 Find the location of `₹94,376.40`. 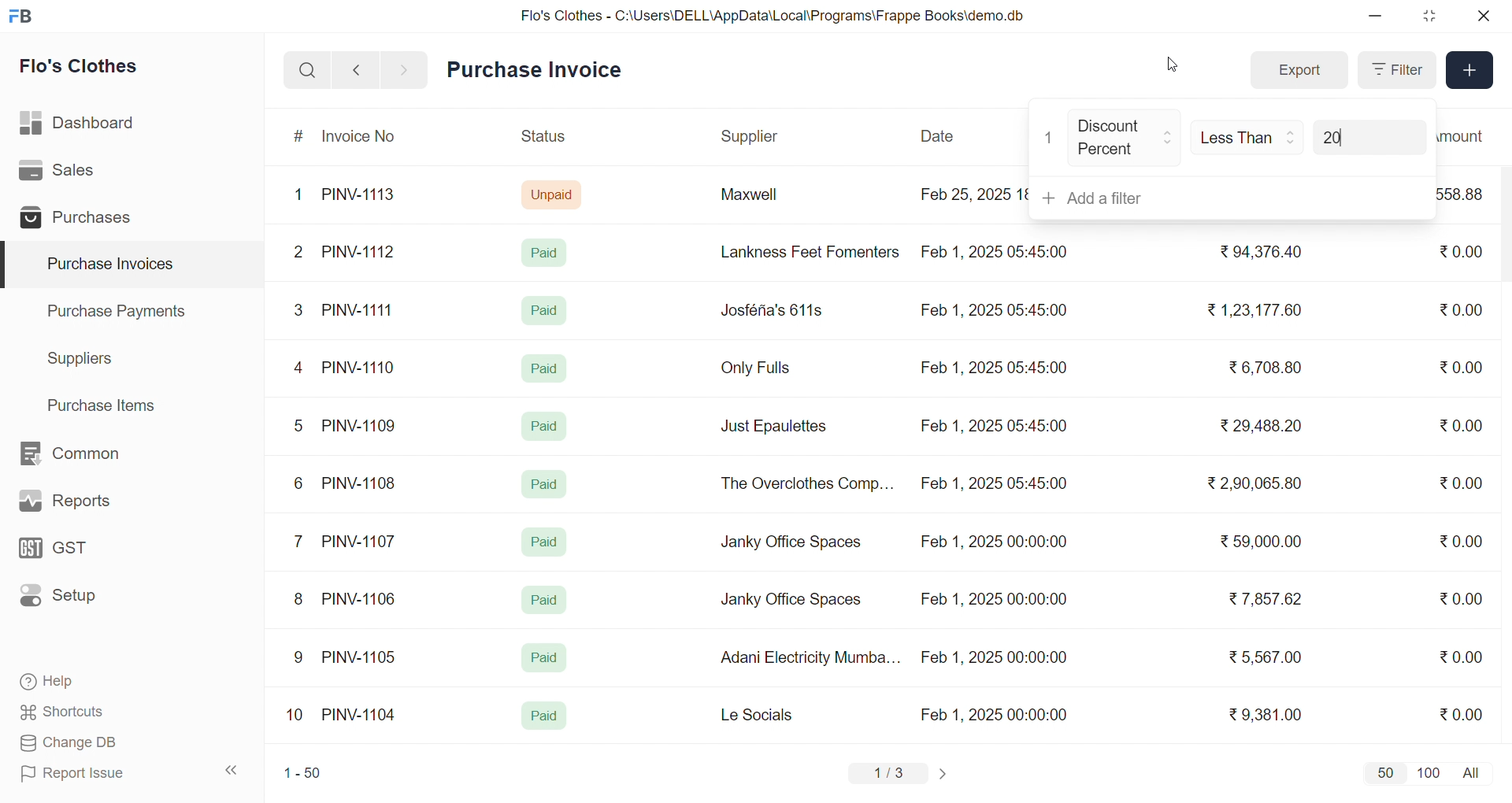

₹94,376.40 is located at coordinates (1257, 253).